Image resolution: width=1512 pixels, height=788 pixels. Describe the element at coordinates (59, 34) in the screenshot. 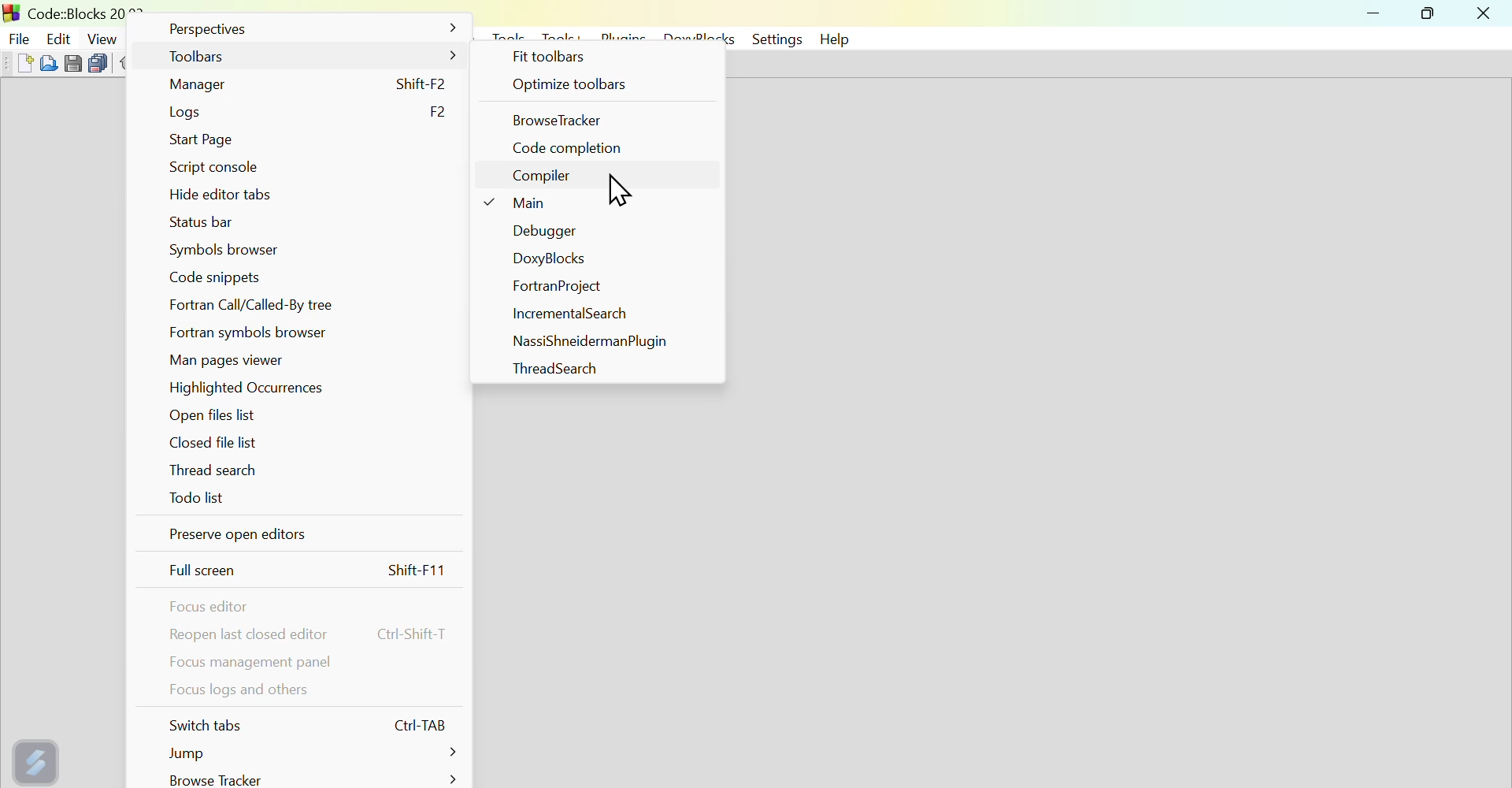

I see `edit` at that location.